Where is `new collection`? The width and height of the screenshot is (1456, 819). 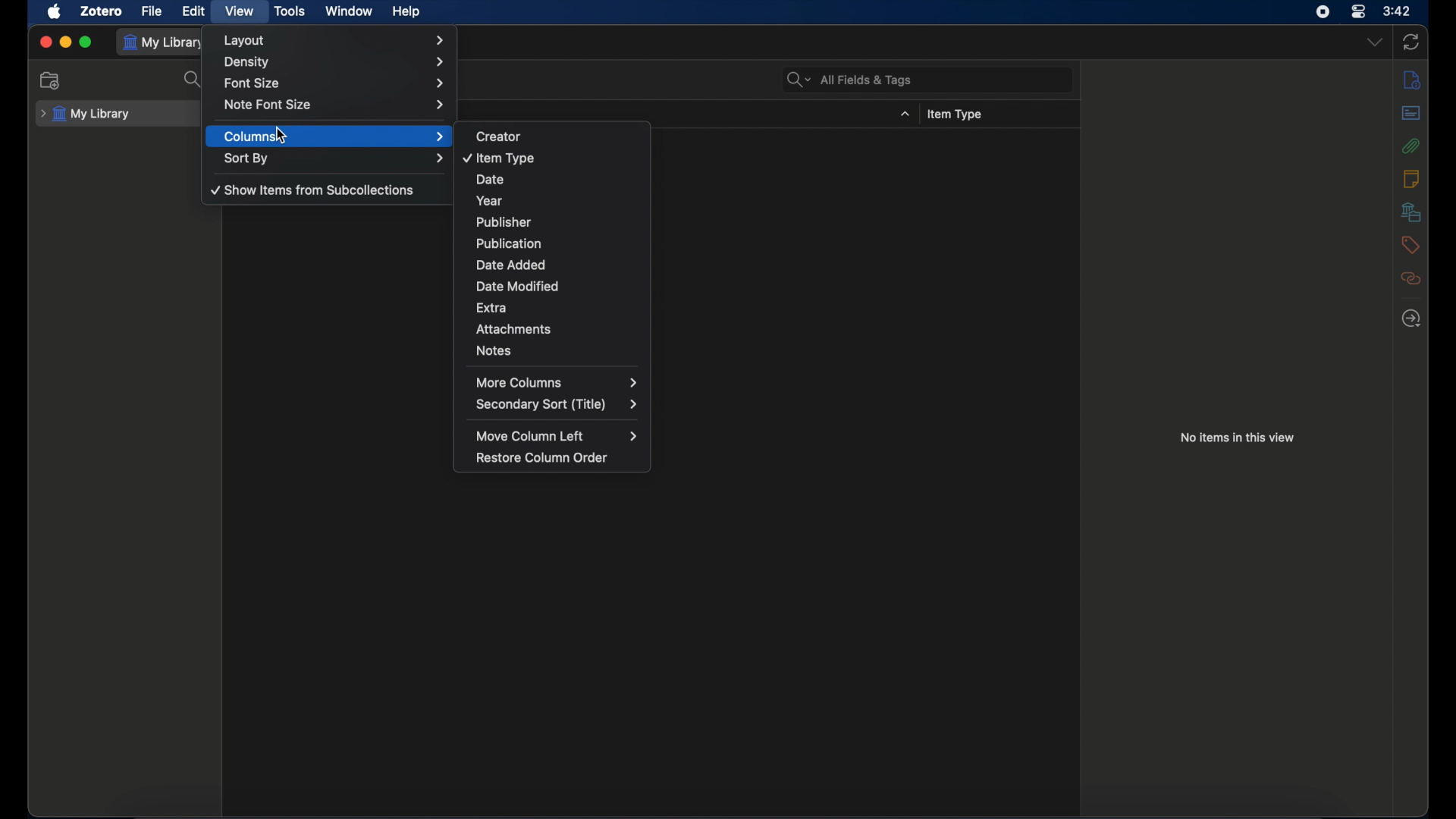 new collection is located at coordinates (52, 81).